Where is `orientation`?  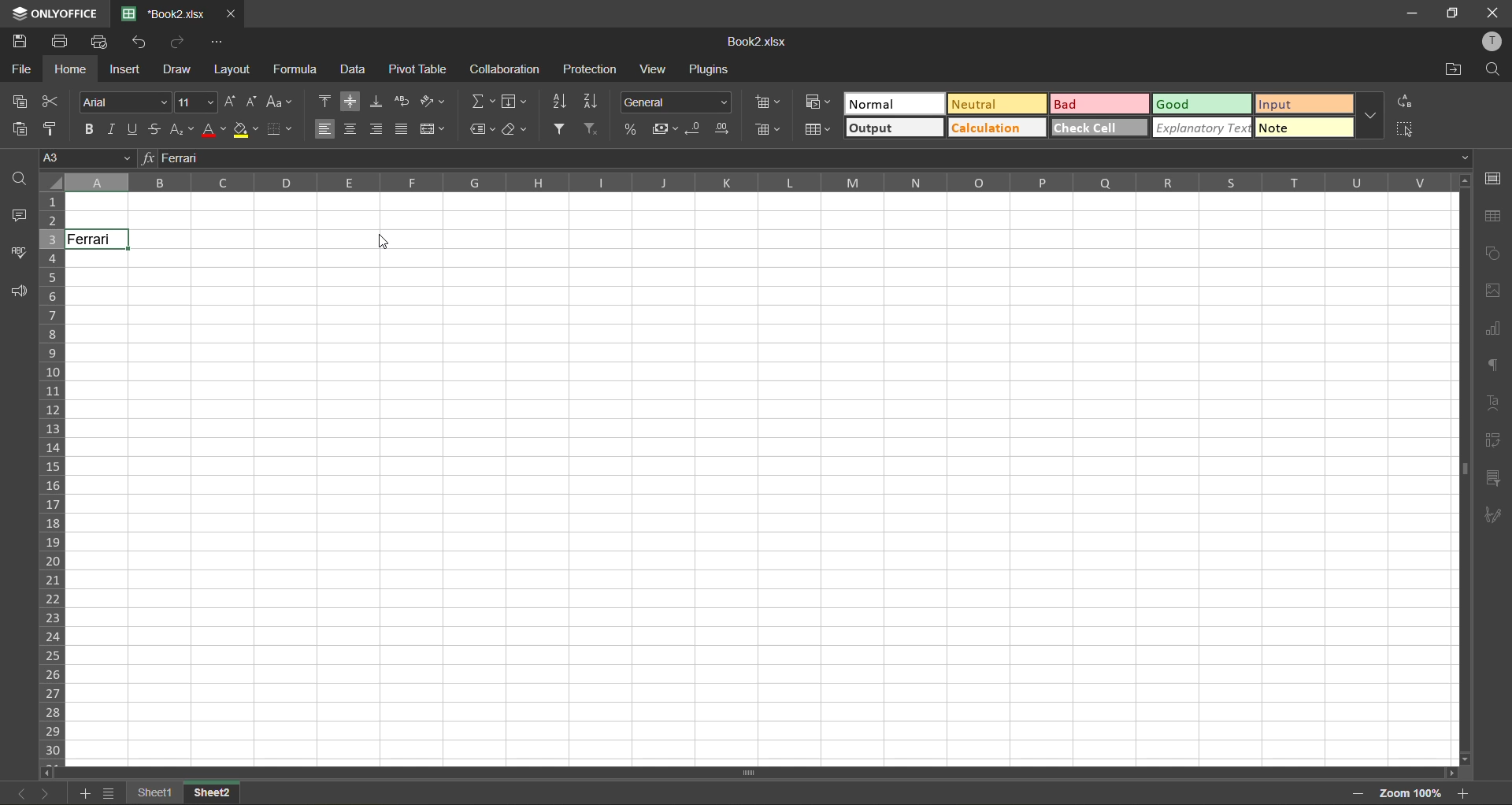 orientation is located at coordinates (432, 102).